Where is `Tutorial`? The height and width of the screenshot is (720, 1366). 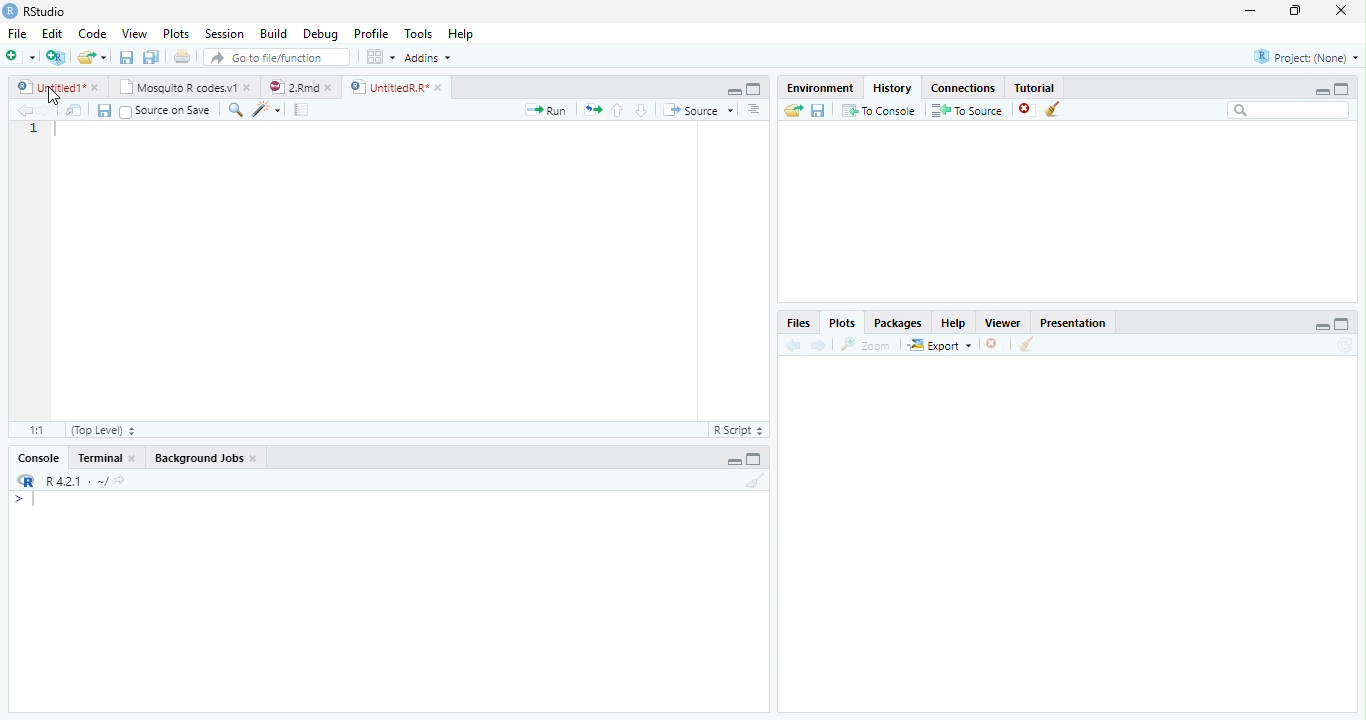
Tutorial is located at coordinates (1035, 88).